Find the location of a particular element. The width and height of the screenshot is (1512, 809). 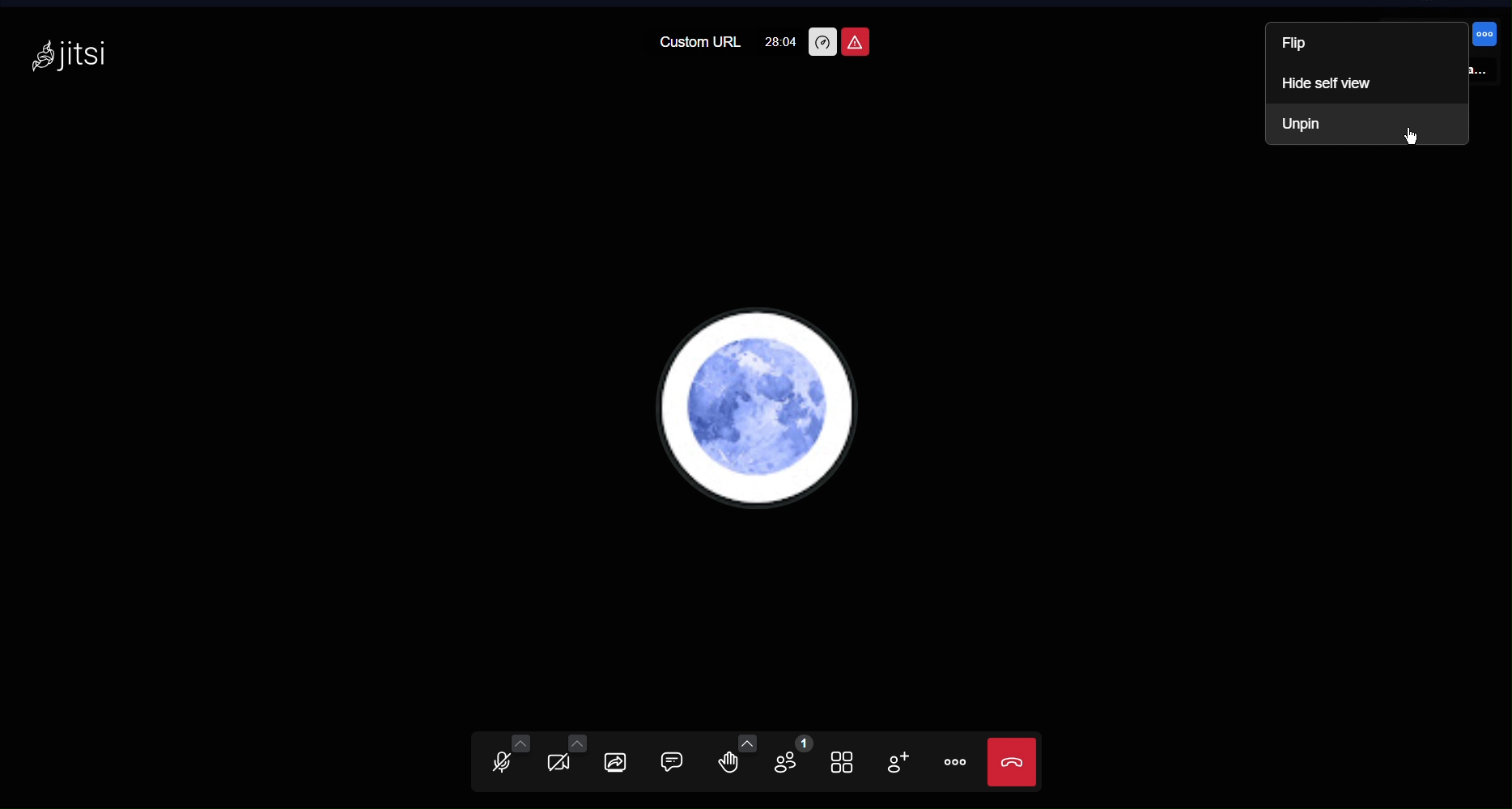

Participants is located at coordinates (792, 762).